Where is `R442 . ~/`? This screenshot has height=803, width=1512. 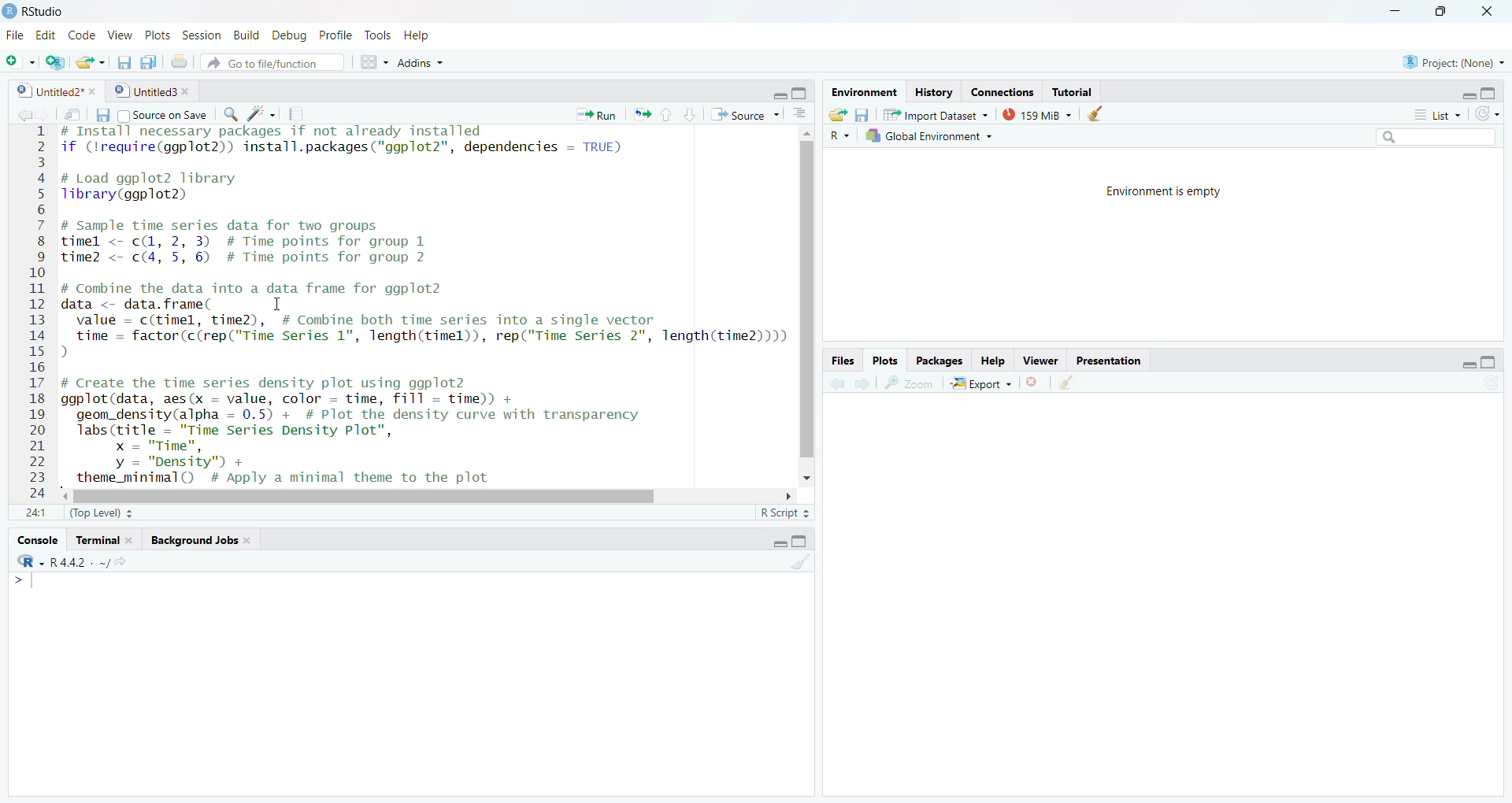 R442 . ~/ is located at coordinates (80, 562).